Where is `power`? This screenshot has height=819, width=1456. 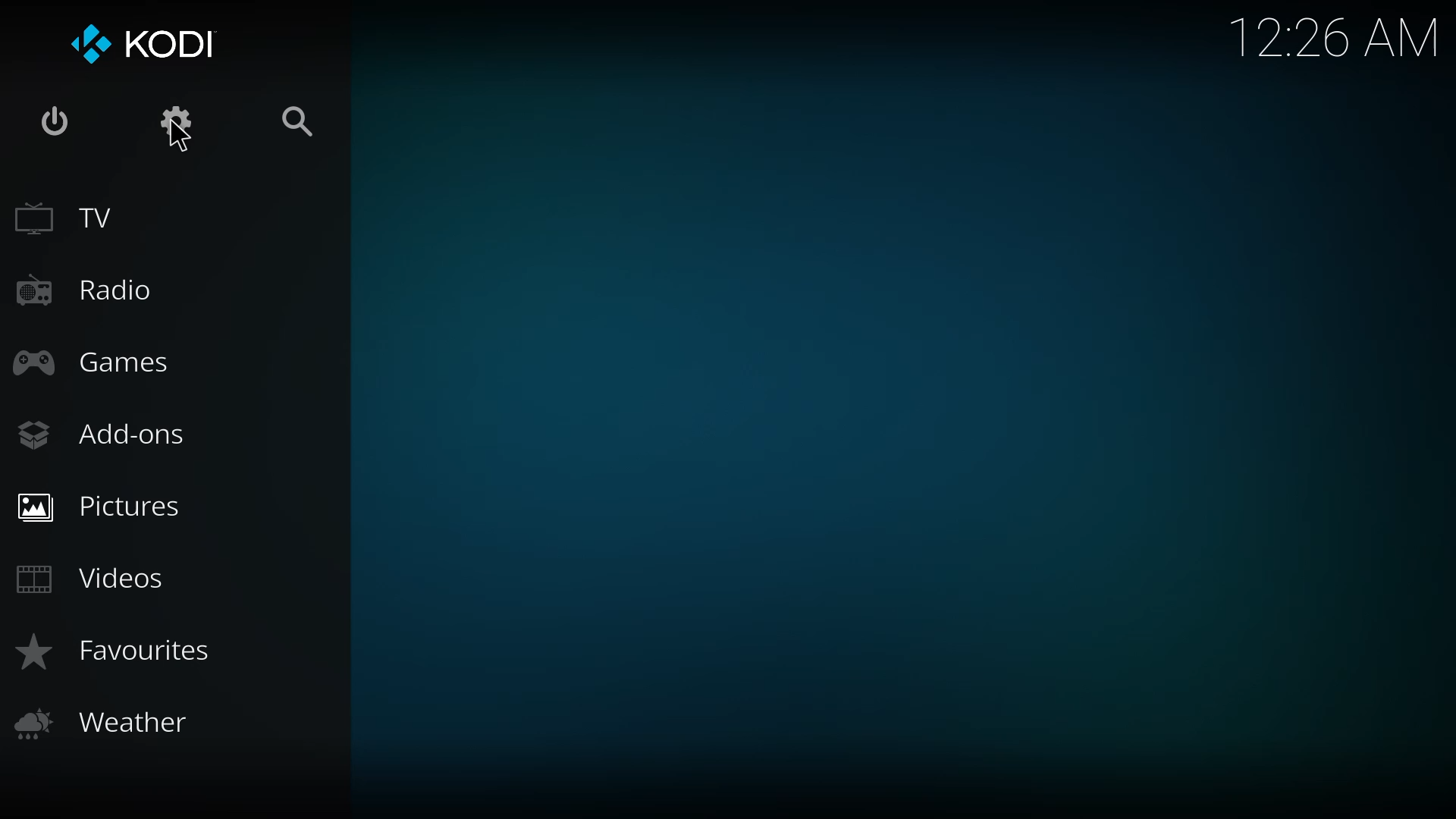
power is located at coordinates (55, 122).